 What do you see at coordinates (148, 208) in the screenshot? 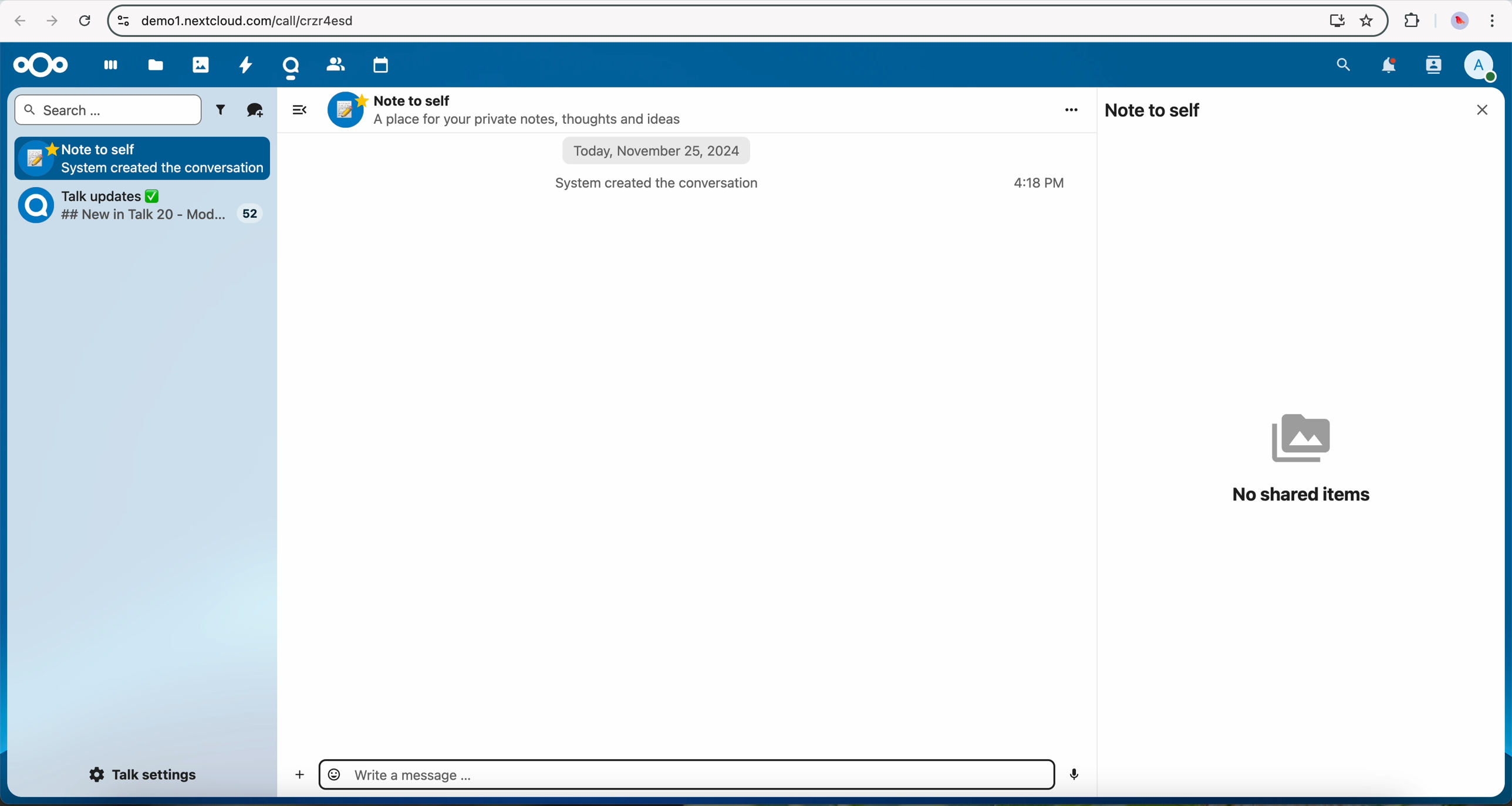
I see `Talk updates` at bounding box center [148, 208].